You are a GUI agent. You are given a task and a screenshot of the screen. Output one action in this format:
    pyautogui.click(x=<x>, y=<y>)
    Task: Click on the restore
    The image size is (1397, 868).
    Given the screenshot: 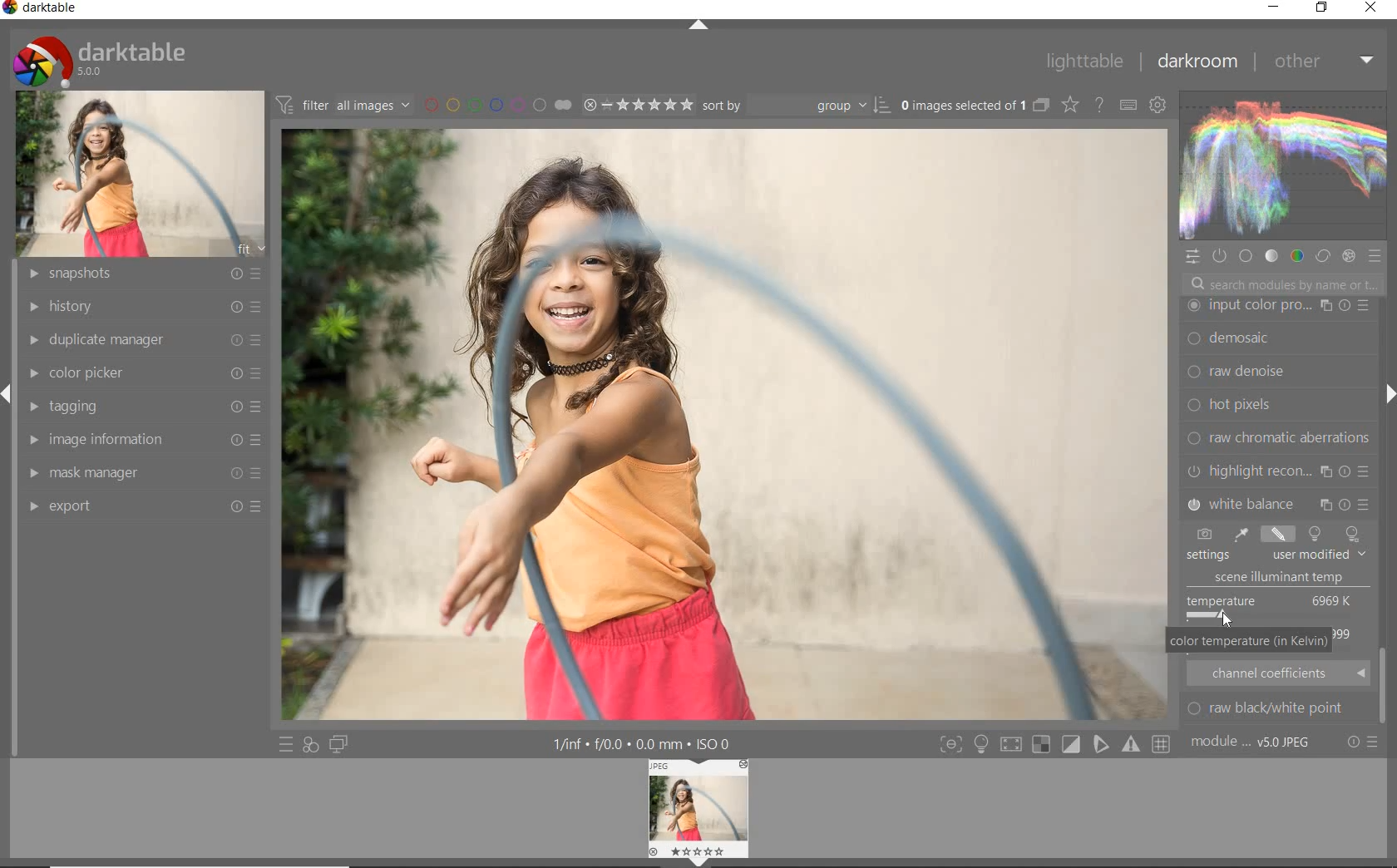 What is the action you would take?
    pyautogui.click(x=1321, y=7)
    